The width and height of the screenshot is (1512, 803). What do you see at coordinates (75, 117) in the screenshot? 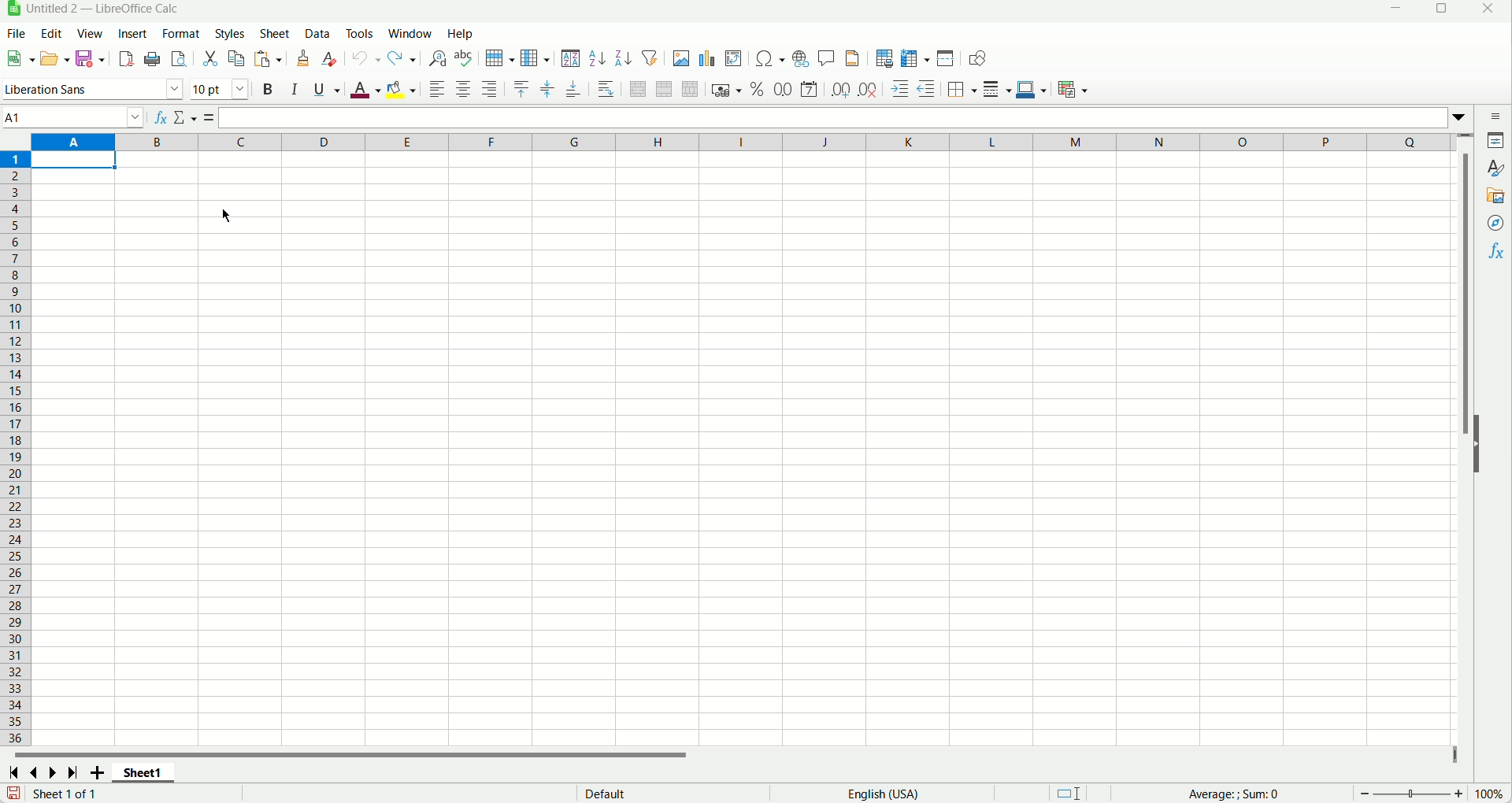
I see `Name box` at bounding box center [75, 117].